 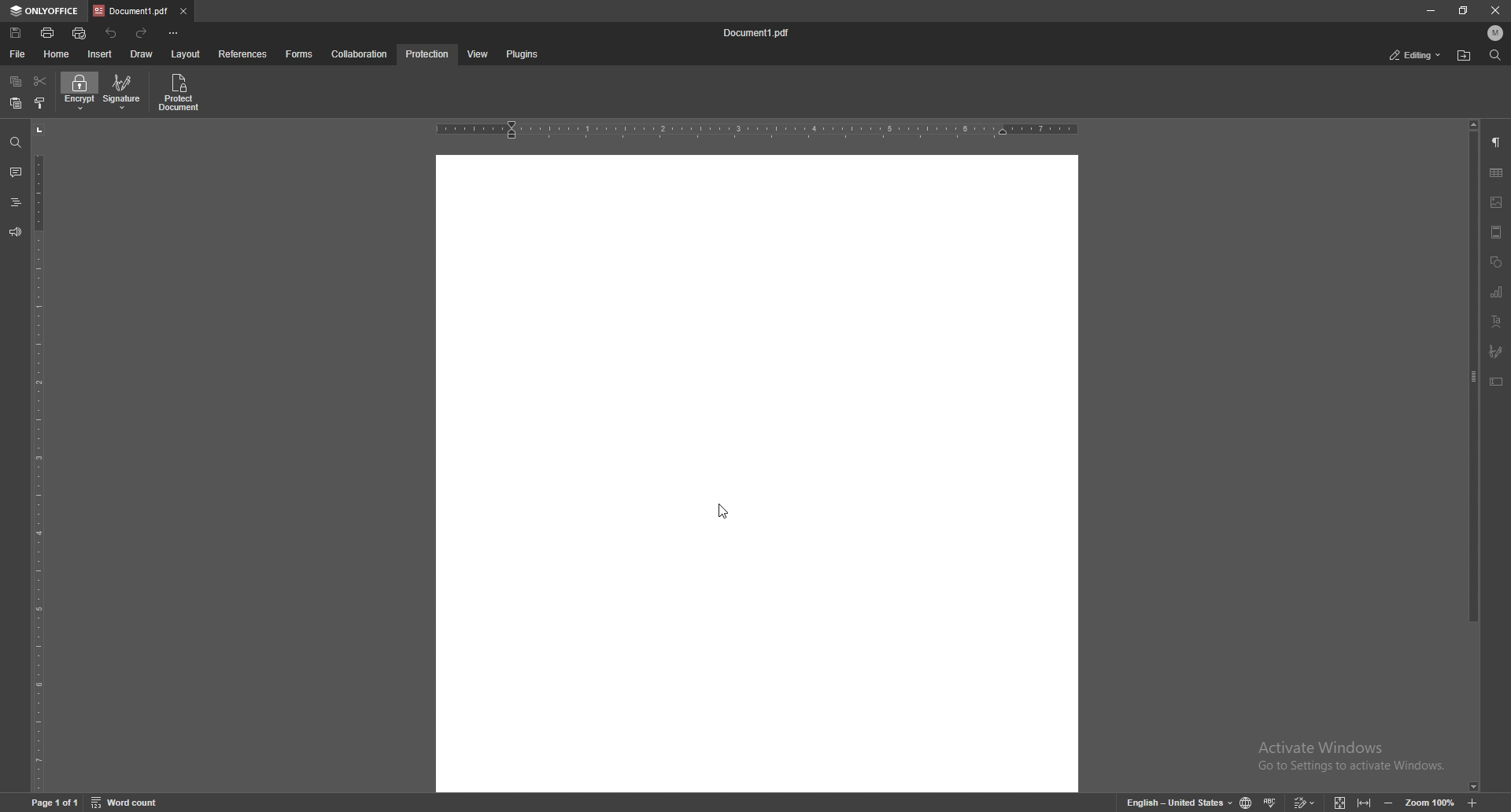 I want to click on layout, so click(x=188, y=54).